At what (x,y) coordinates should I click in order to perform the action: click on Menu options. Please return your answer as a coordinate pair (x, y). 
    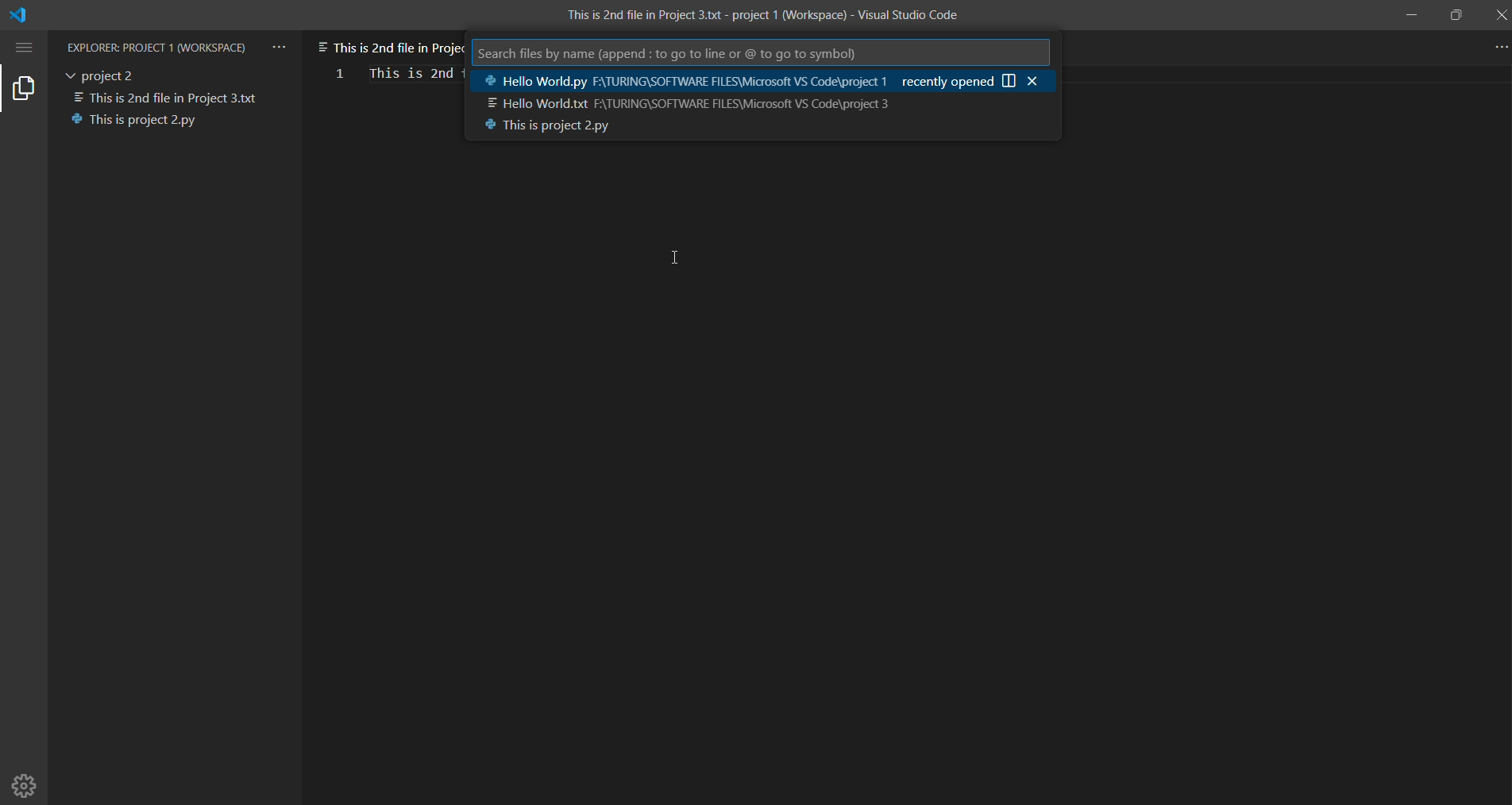
    Looking at the image, I should click on (26, 47).